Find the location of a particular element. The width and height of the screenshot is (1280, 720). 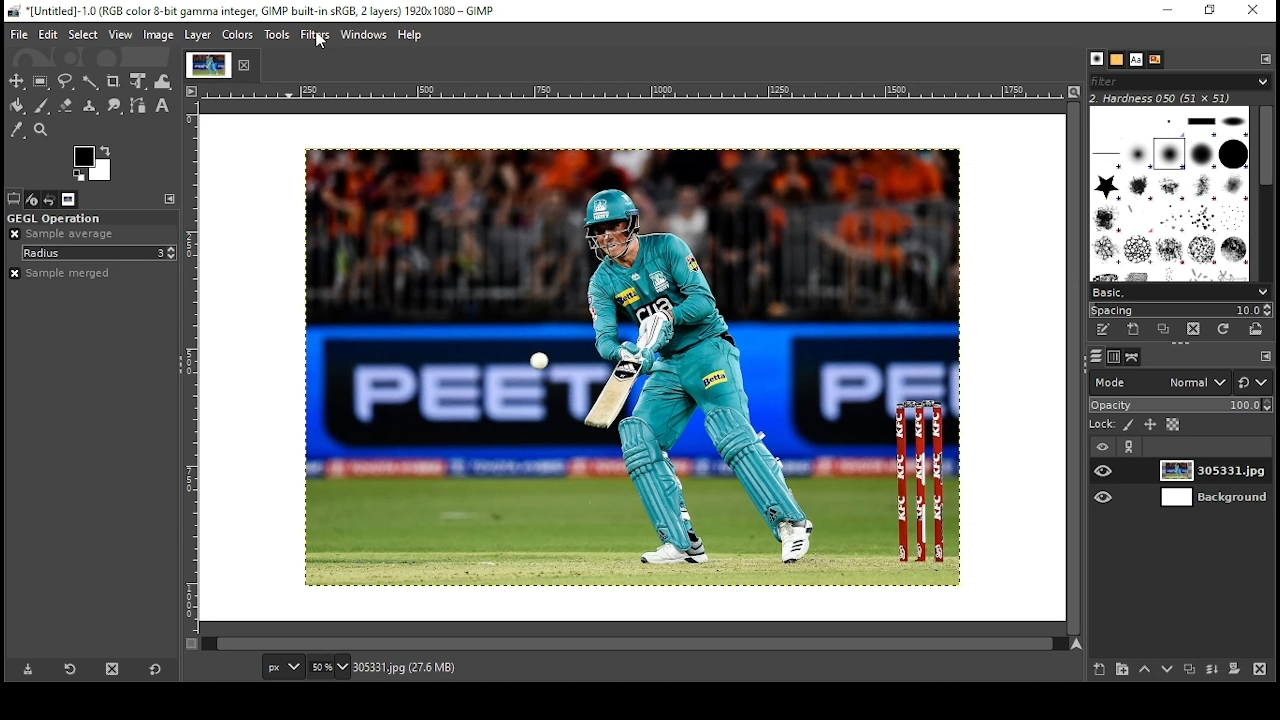

create new layer group is located at coordinates (1121, 669).